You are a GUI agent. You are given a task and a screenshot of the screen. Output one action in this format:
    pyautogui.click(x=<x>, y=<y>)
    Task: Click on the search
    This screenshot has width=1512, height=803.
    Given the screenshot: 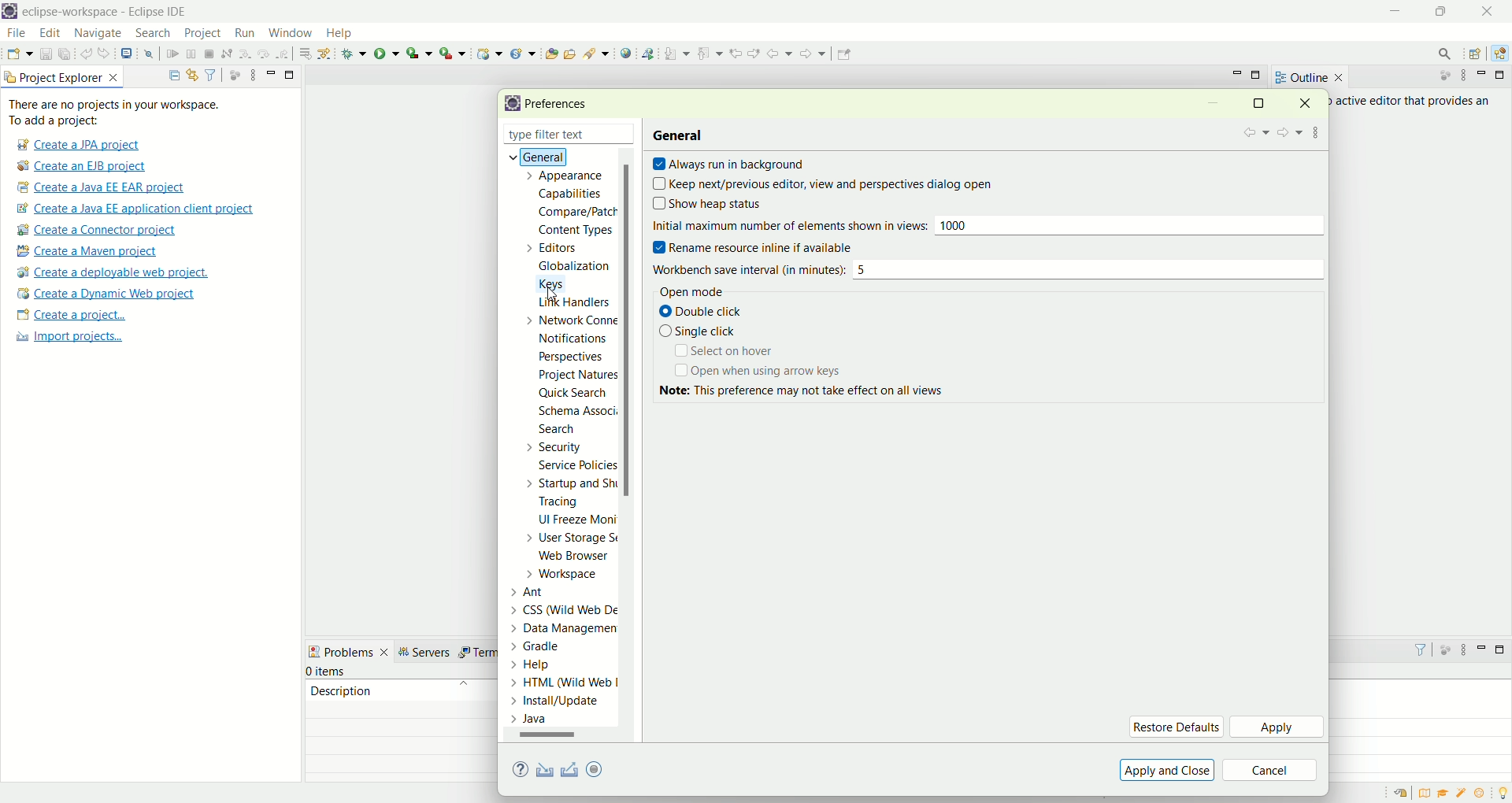 What is the action you would take?
    pyautogui.click(x=597, y=53)
    